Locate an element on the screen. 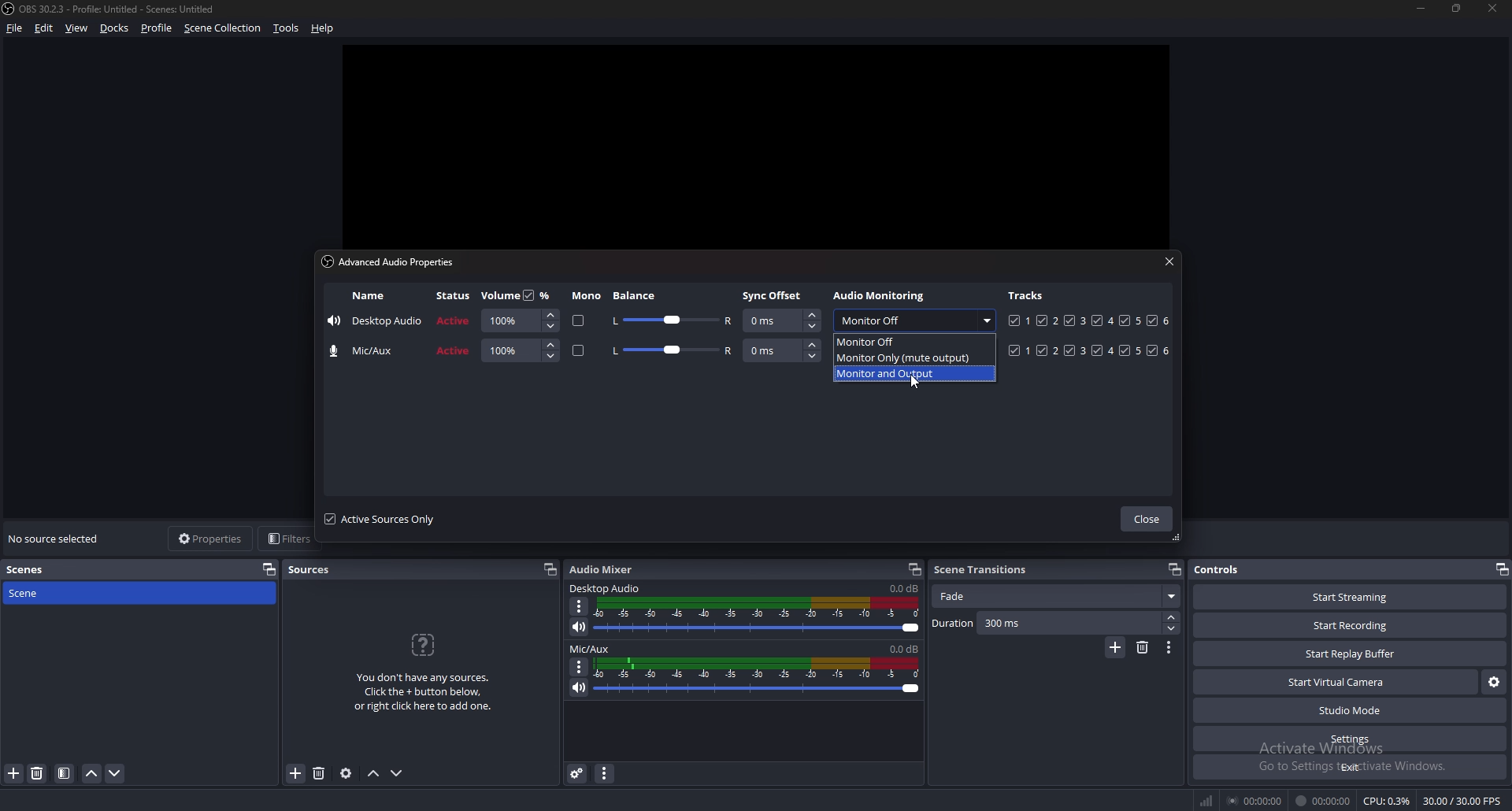 The image size is (1512, 811). start streaming is located at coordinates (1349, 597).